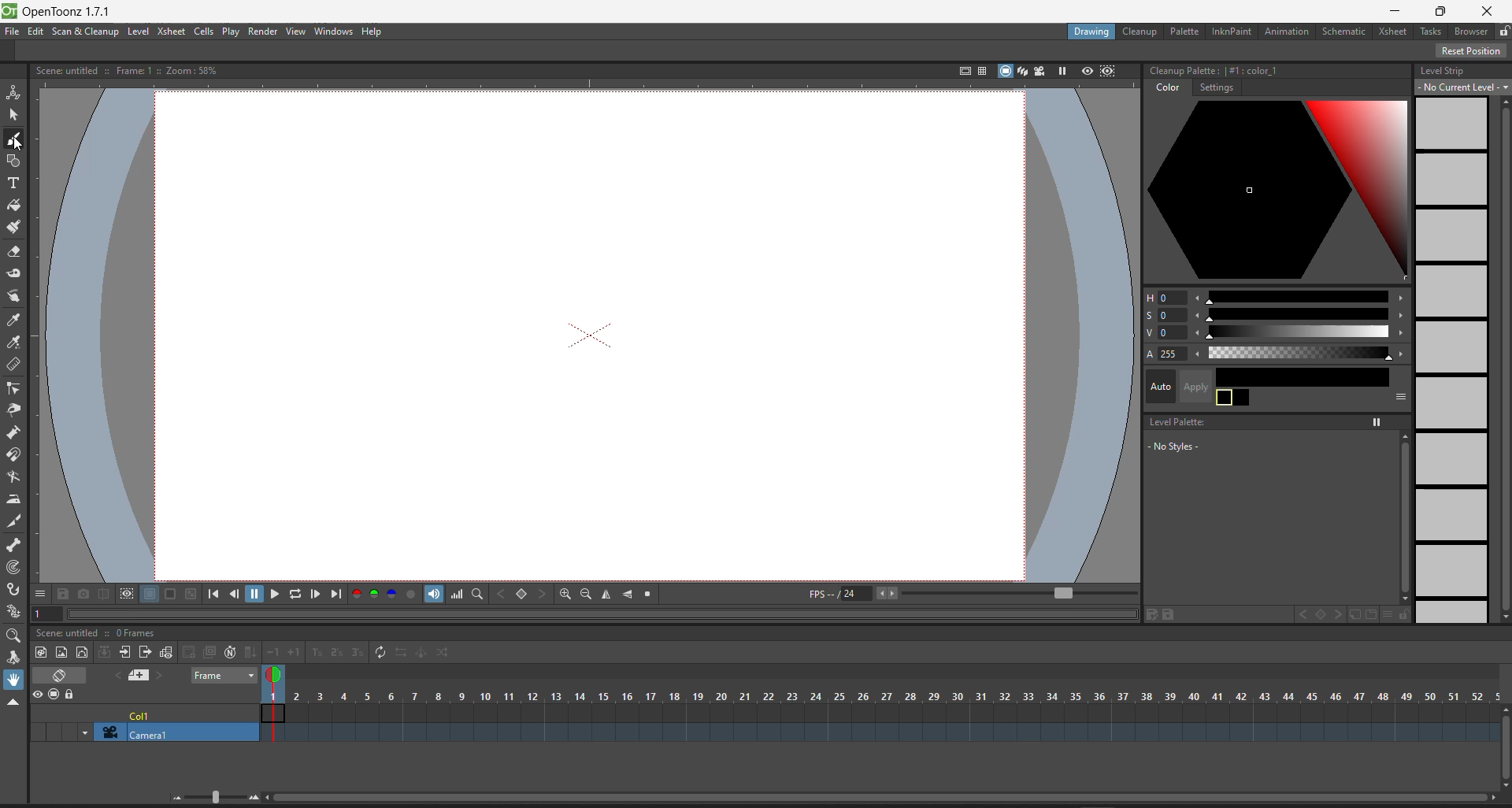 This screenshot has height=808, width=1512. Describe the element at coordinates (1162, 297) in the screenshot. I see `hue` at that location.